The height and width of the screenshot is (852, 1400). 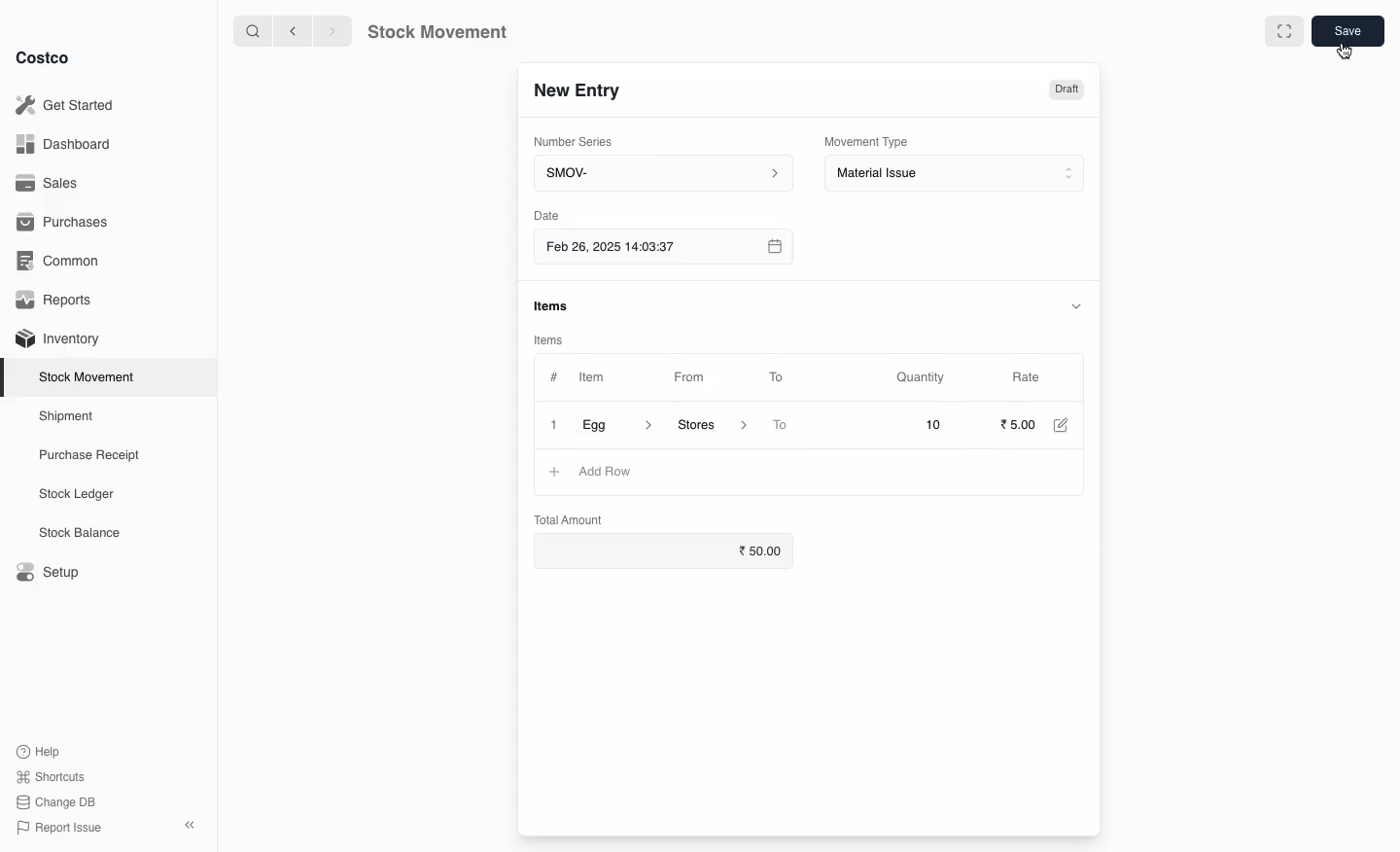 I want to click on Reports, so click(x=58, y=300).